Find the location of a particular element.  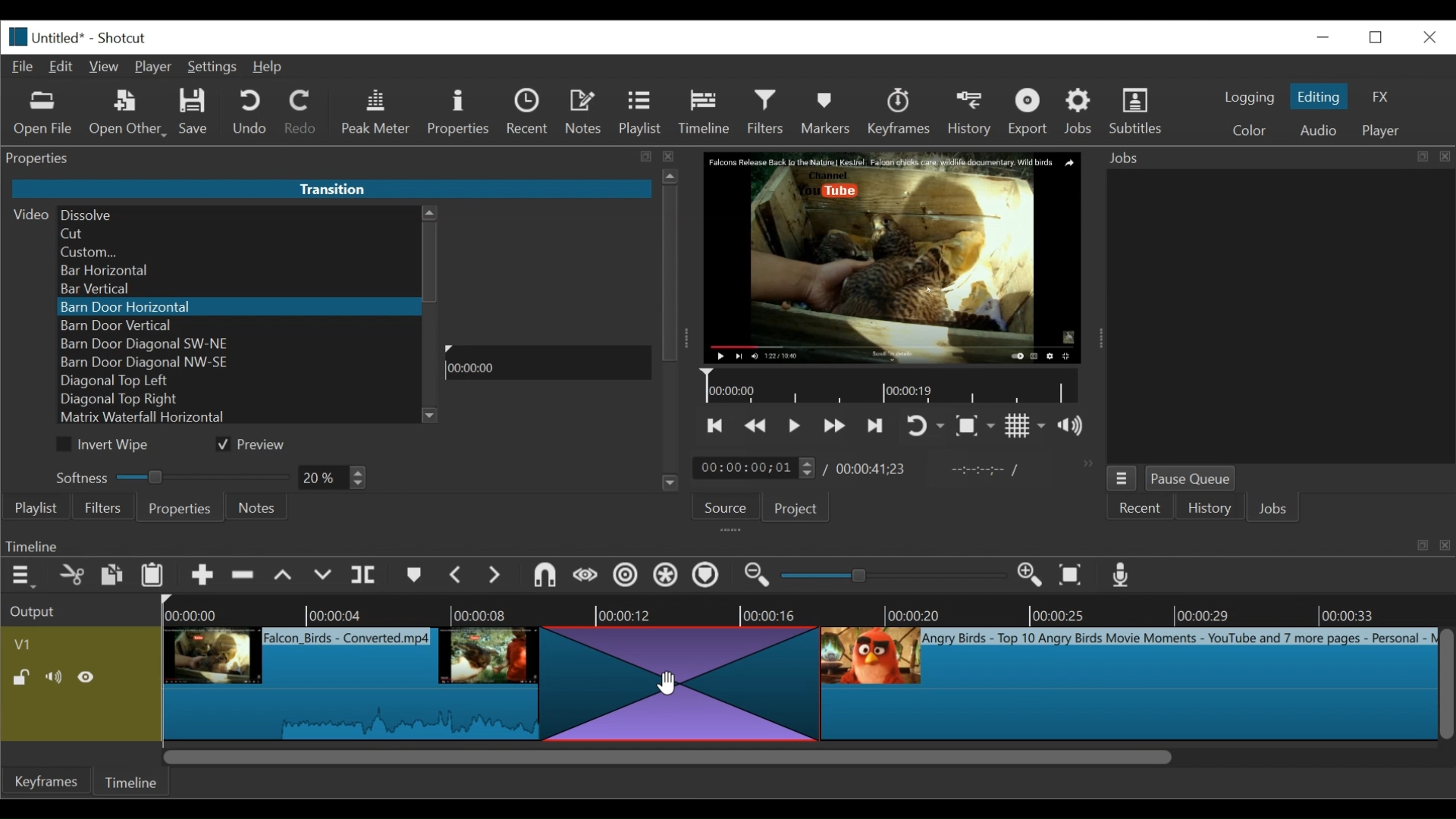

Mute is located at coordinates (55, 676).